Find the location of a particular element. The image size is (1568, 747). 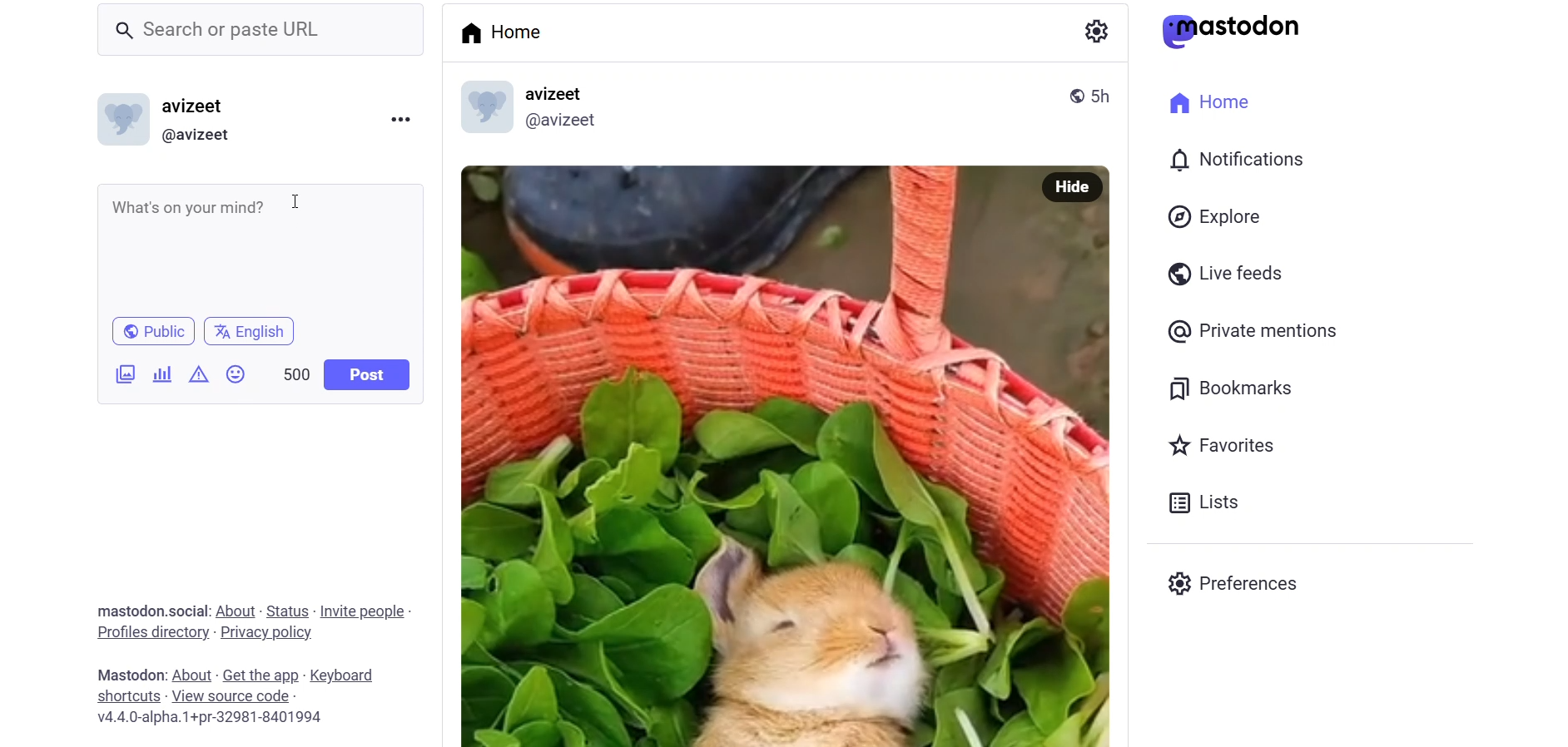

status is located at coordinates (286, 611).